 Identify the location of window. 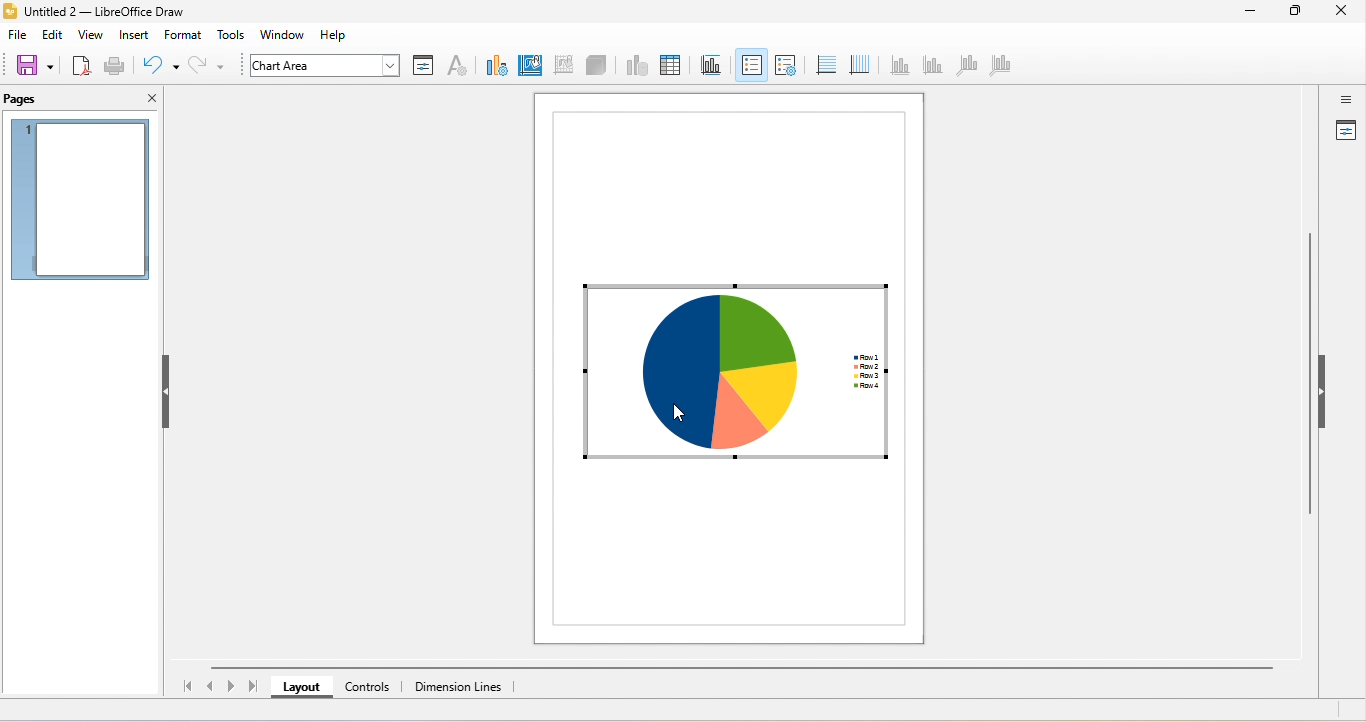
(288, 35).